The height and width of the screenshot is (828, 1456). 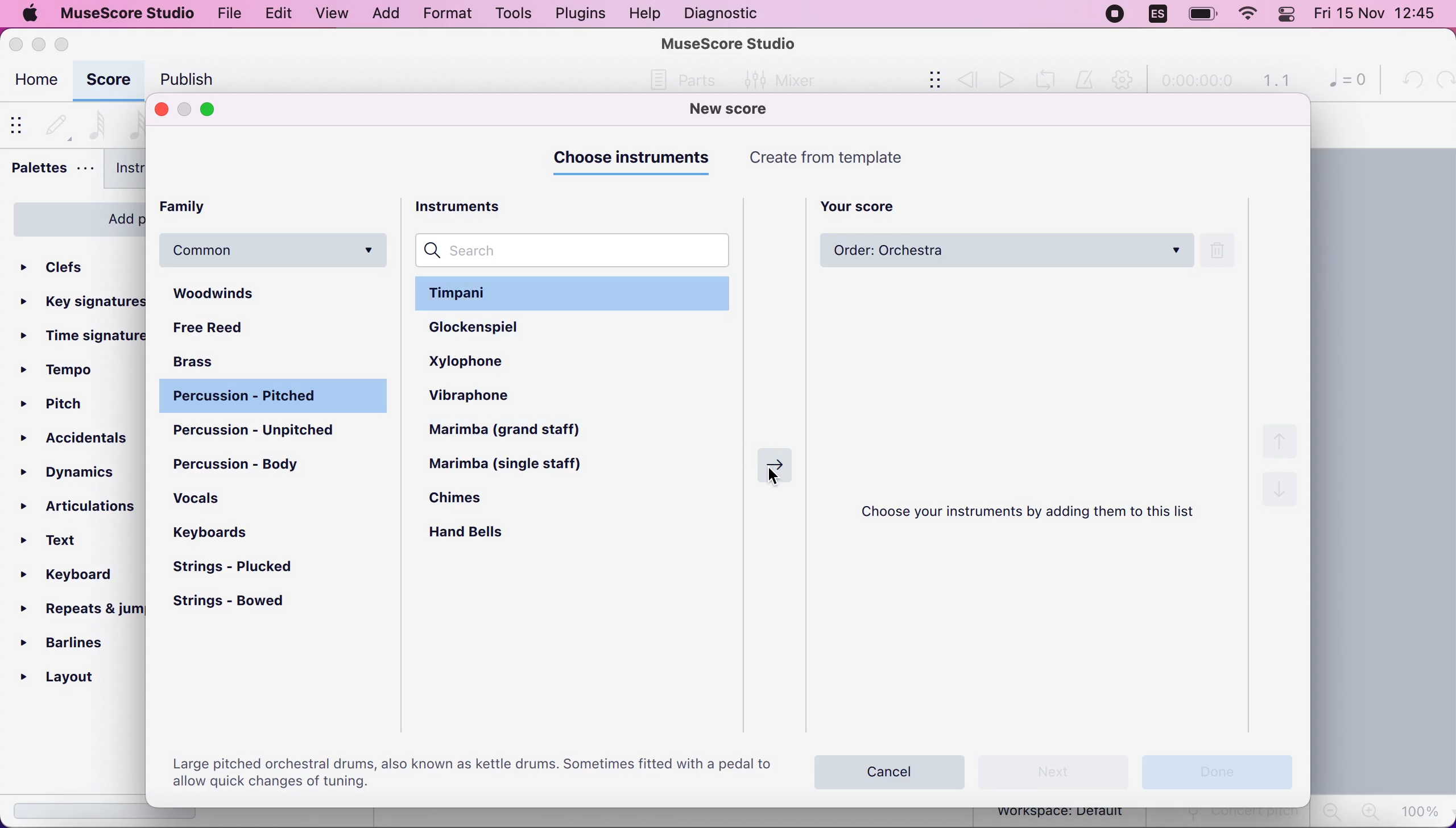 What do you see at coordinates (237, 329) in the screenshot?
I see `free reed` at bounding box center [237, 329].